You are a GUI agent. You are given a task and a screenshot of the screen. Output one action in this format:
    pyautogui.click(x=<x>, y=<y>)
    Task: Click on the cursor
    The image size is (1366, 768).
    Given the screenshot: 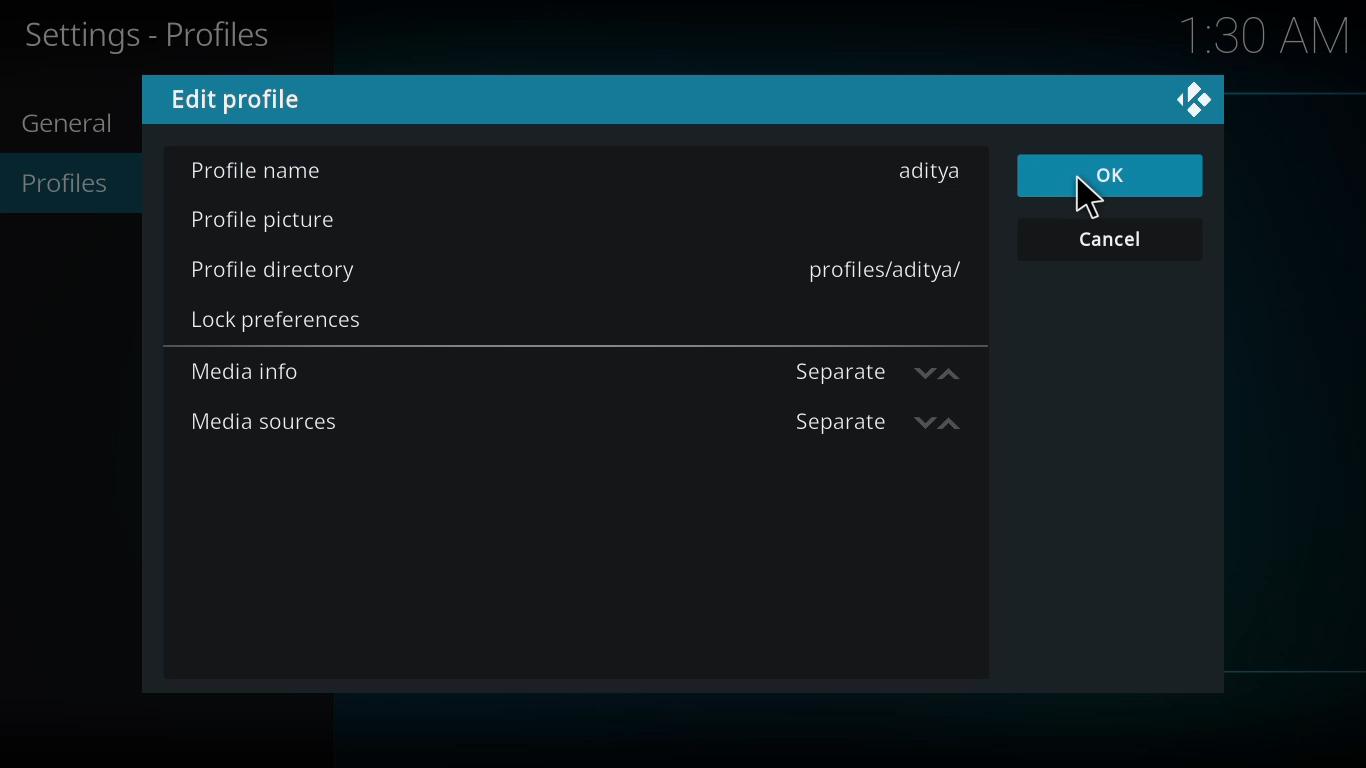 What is the action you would take?
    pyautogui.click(x=1081, y=195)
    